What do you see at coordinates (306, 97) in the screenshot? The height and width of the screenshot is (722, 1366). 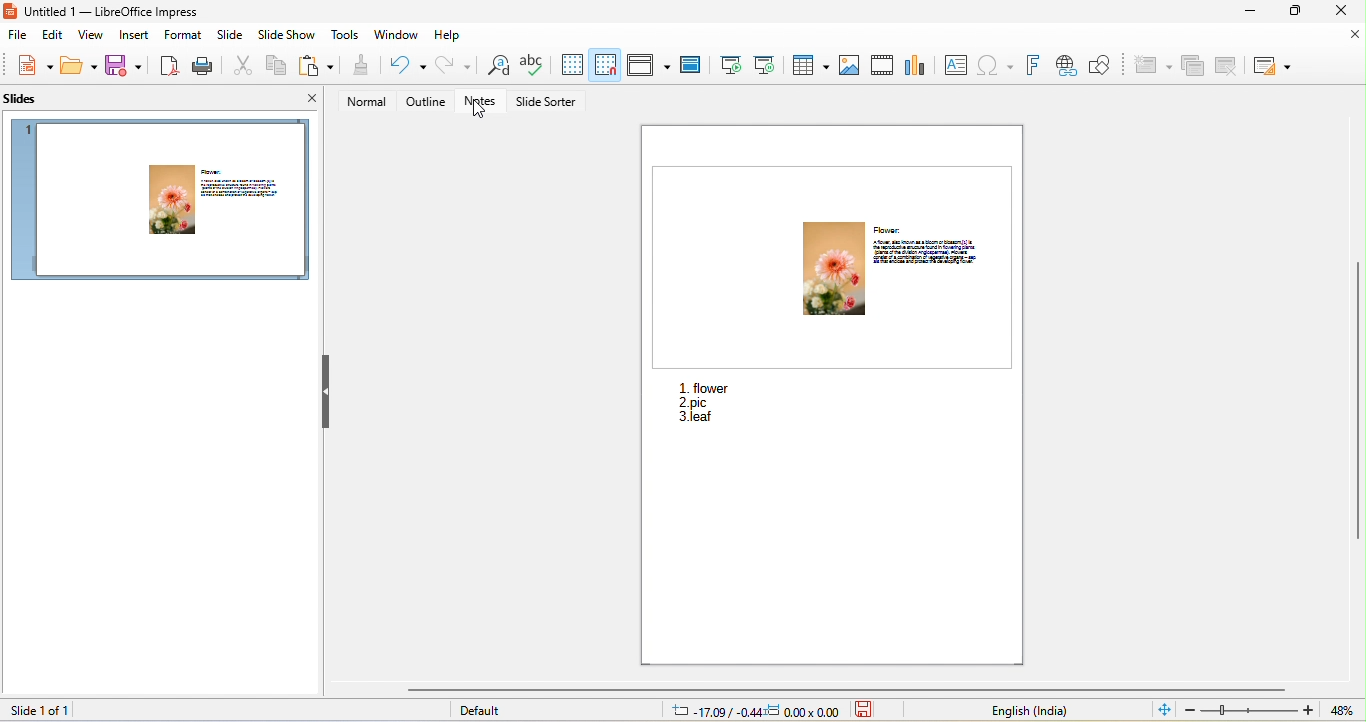 I see `close` at bounding box center [306, 97].